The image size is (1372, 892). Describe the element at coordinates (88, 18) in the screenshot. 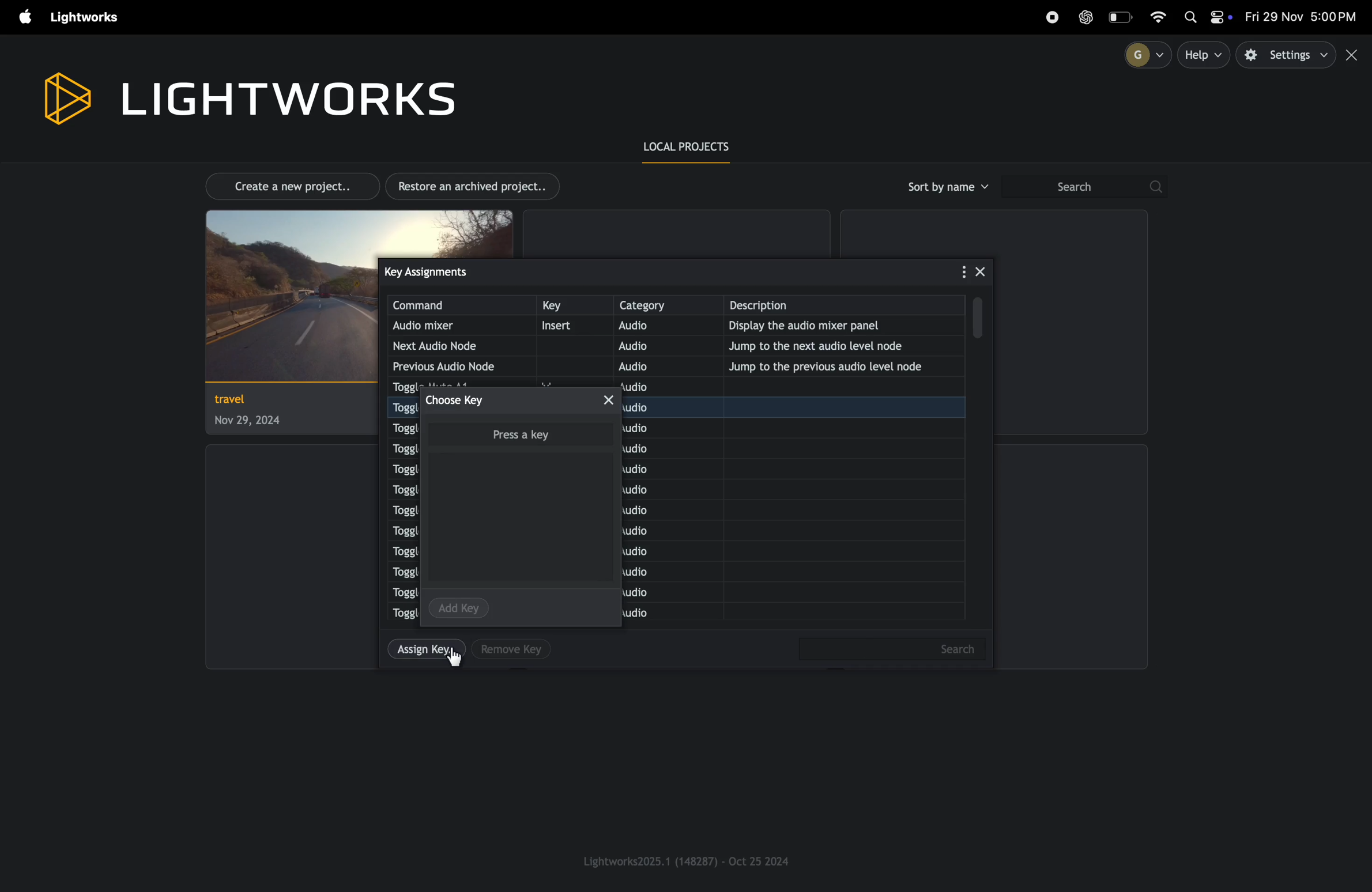

I see `light works` at that location.